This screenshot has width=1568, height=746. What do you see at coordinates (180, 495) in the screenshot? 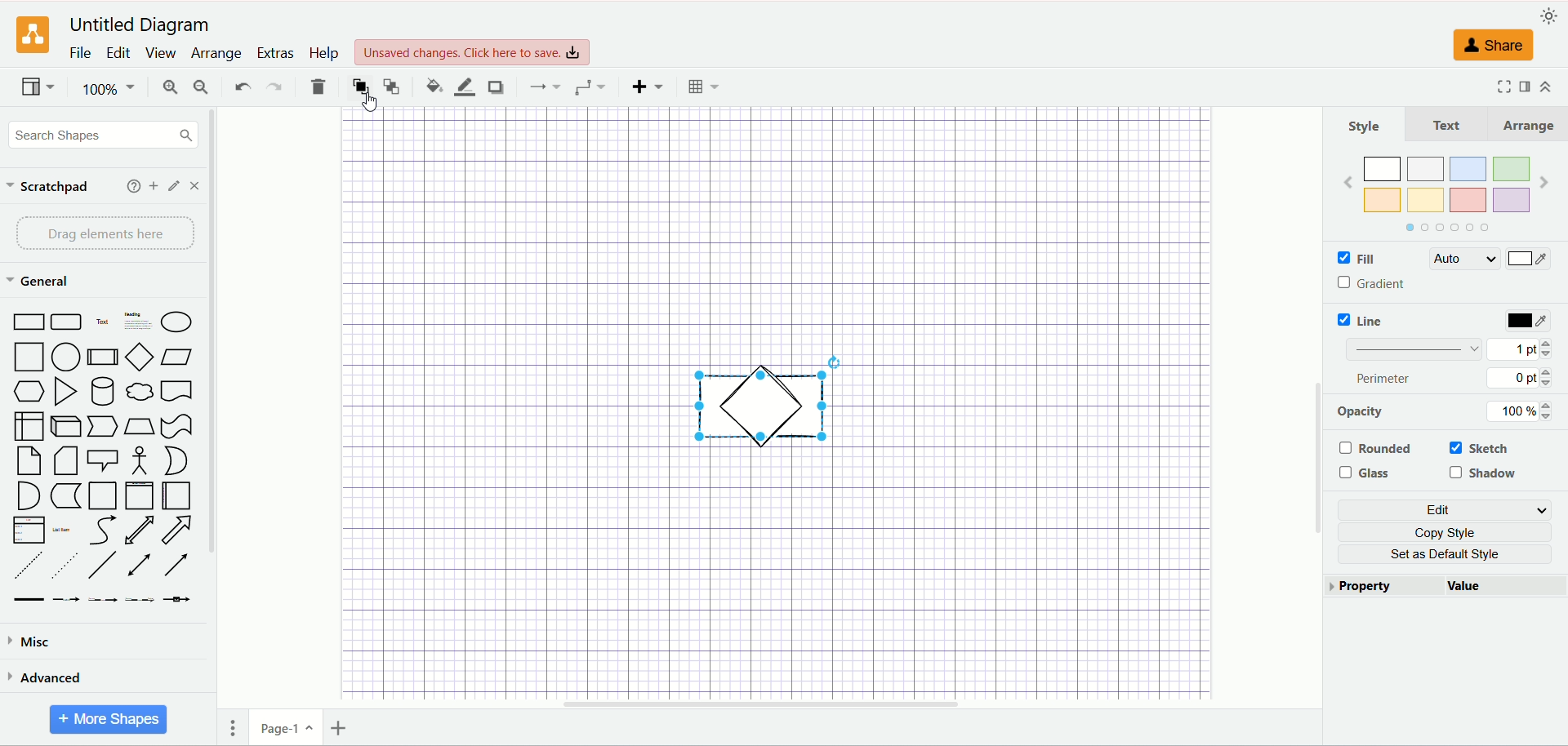
I see `Horizontal Container` at bounding box center [180, 495].